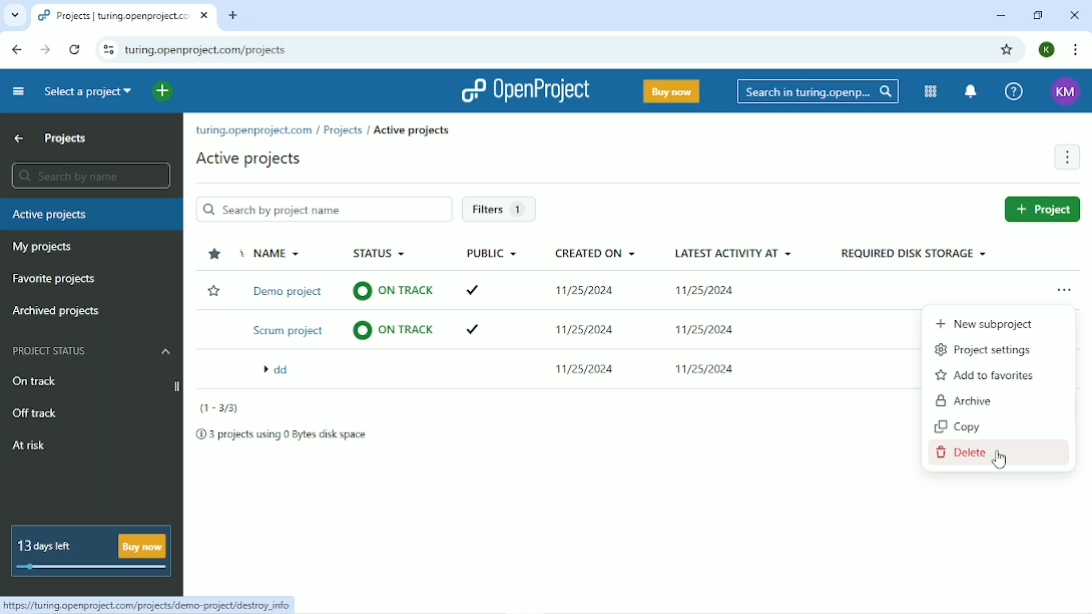 The width and height of the screenshot is (1092, 614). I want to click on At risk, so click(28, 447).